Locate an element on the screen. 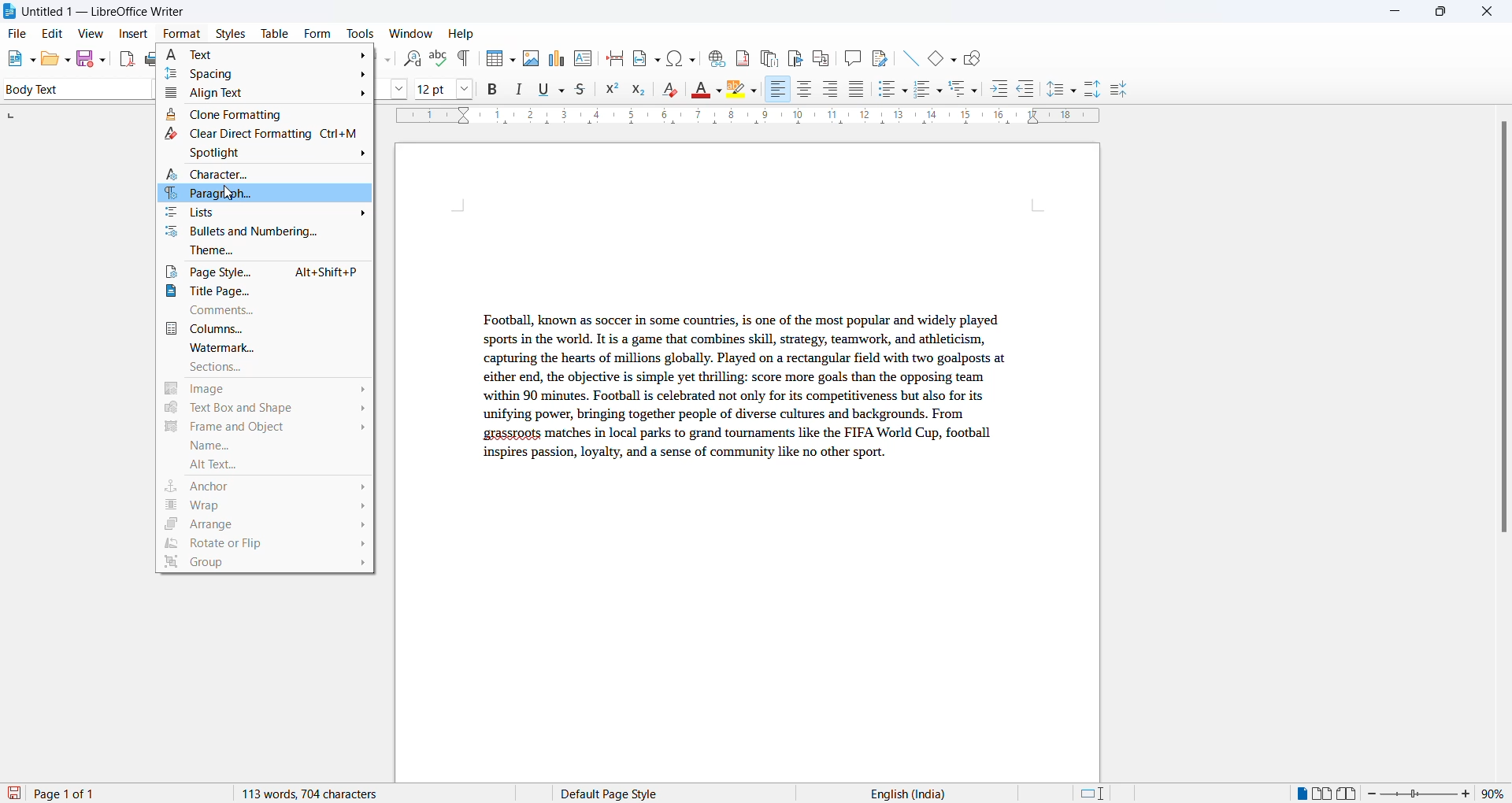 The width and height of the screenshot is (1512, 803). insert hyperlink is located at coordinates (714, 56).